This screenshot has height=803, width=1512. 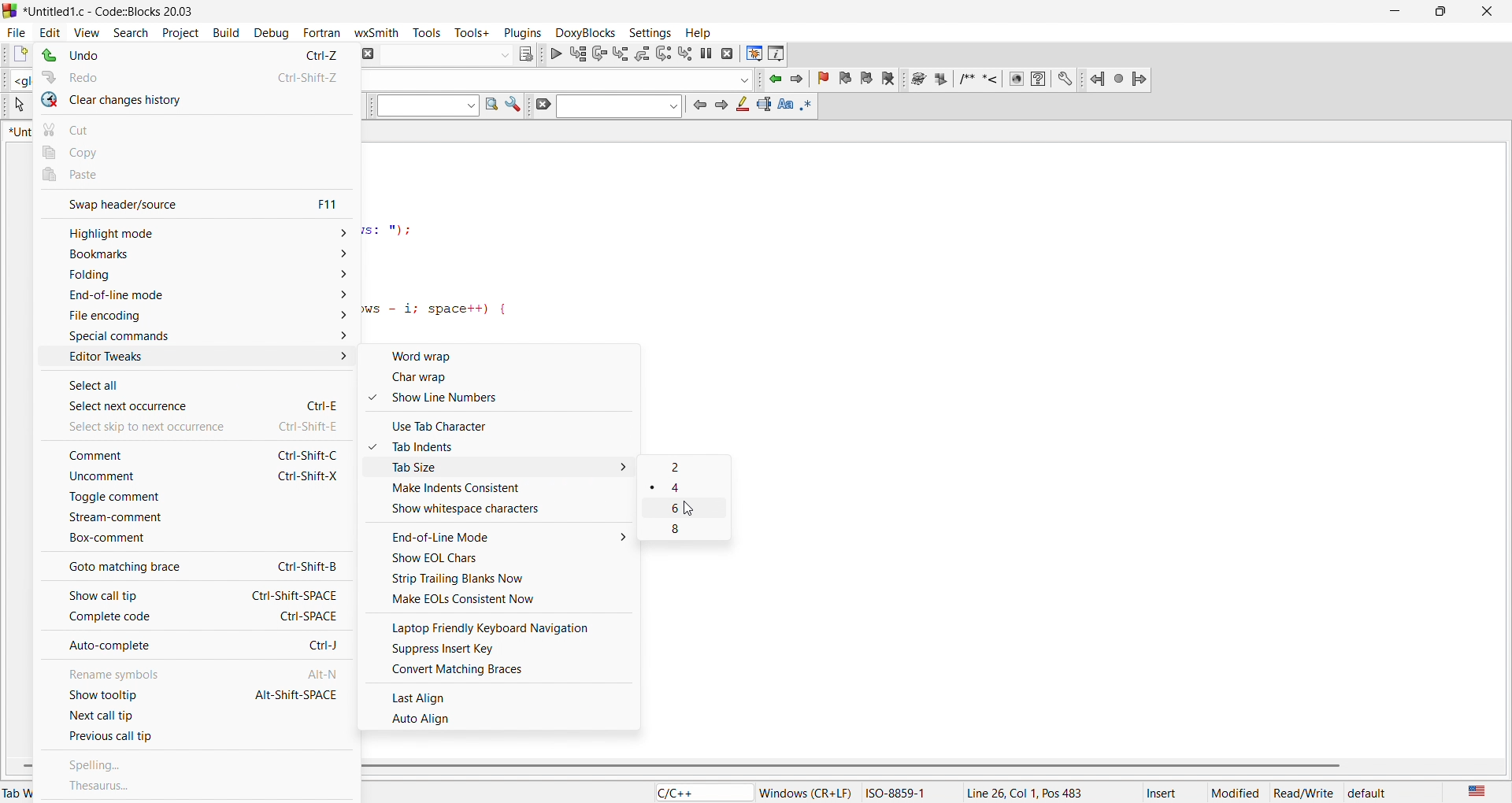 What do you see at coordinates (194, 231) in the screenshot?
I see `highlight mode ` at bounding box center [194, 231].